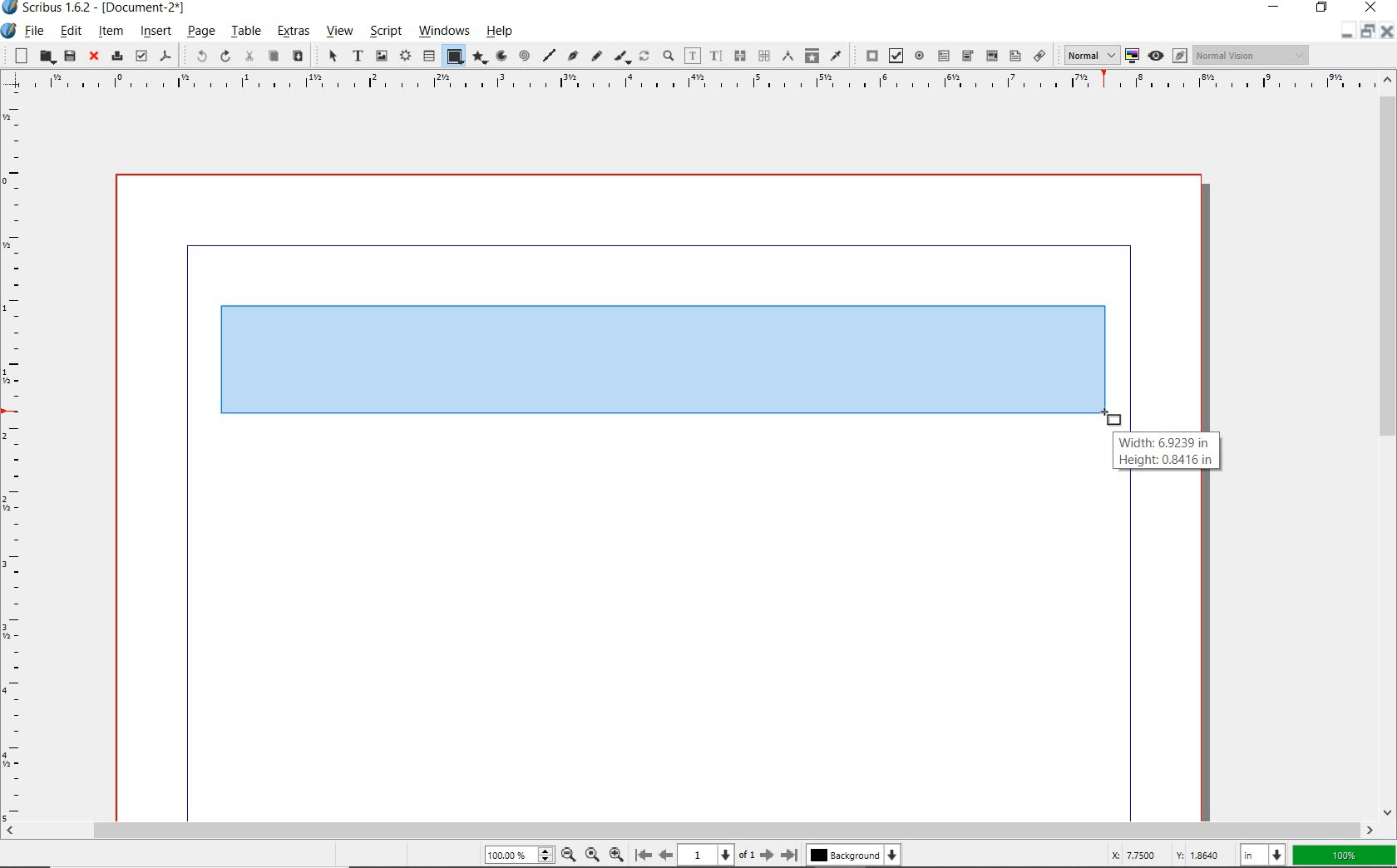 Image resolution: width=1397 pixels, height=868 pixels. Describe the element at coordinates (404, 57) in the screenshot. I see `render frame` at that location.